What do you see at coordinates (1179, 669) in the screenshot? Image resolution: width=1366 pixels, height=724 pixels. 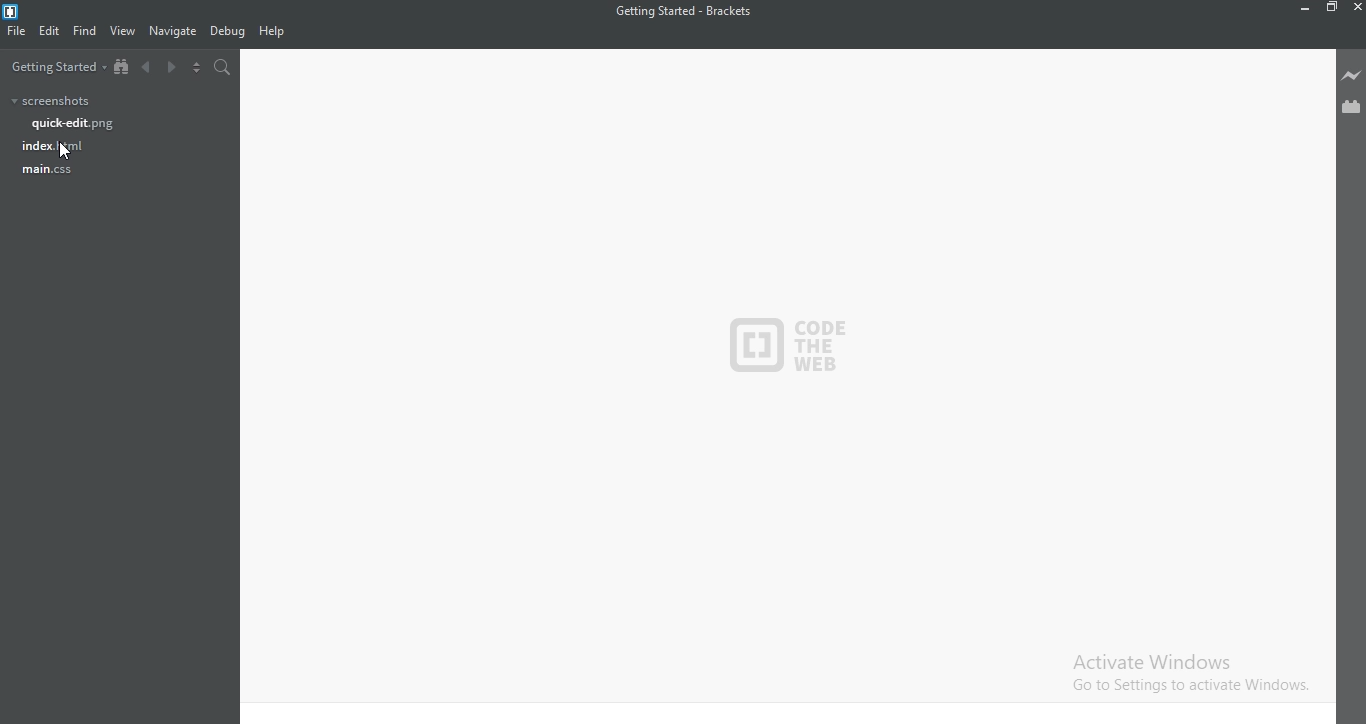 I see `Activate Windows. Go to settings to activate windows` at bounding box center [1179, 669].